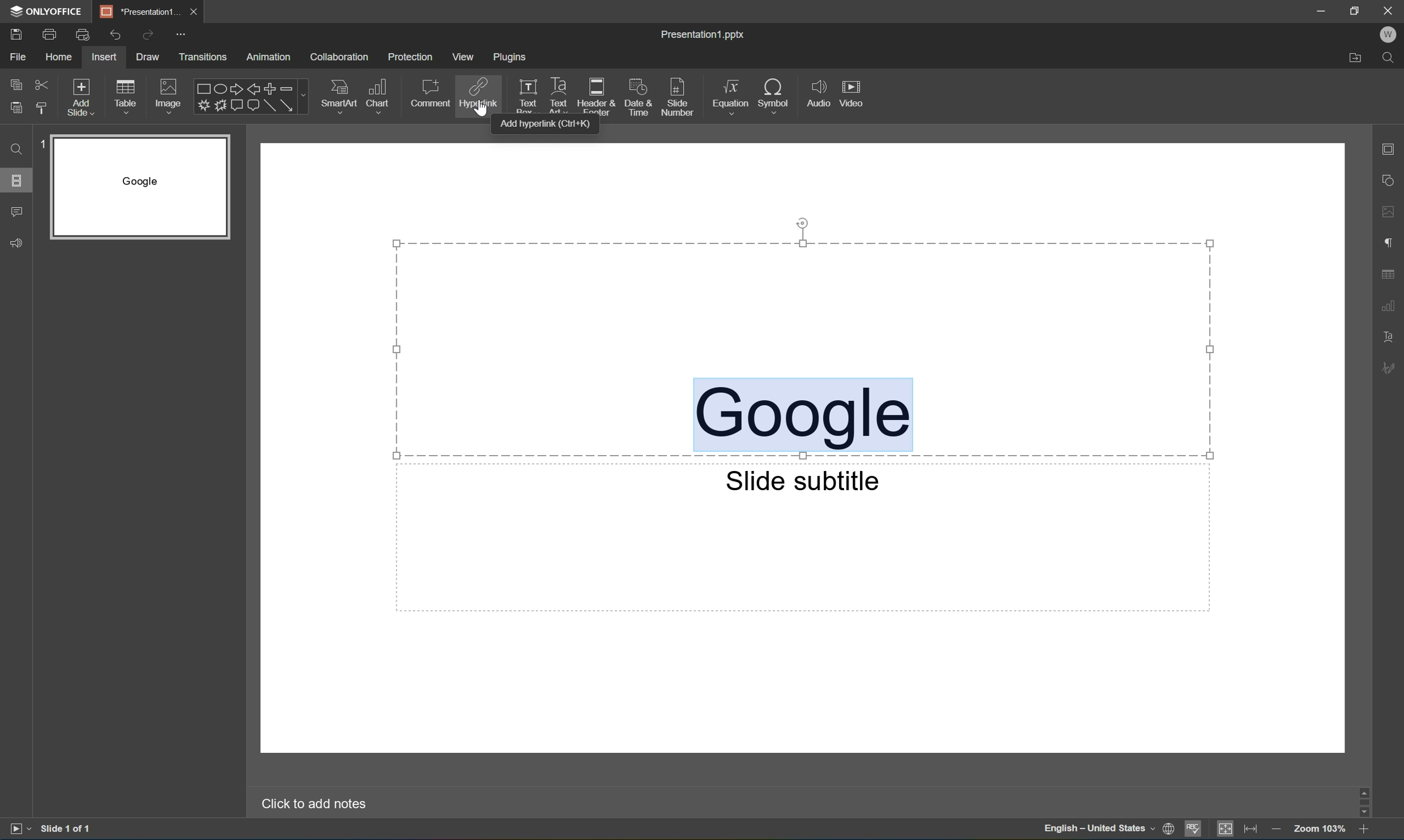 This screenshot has width=1404, height=840. I want to click on Animation, so click(272, 57).